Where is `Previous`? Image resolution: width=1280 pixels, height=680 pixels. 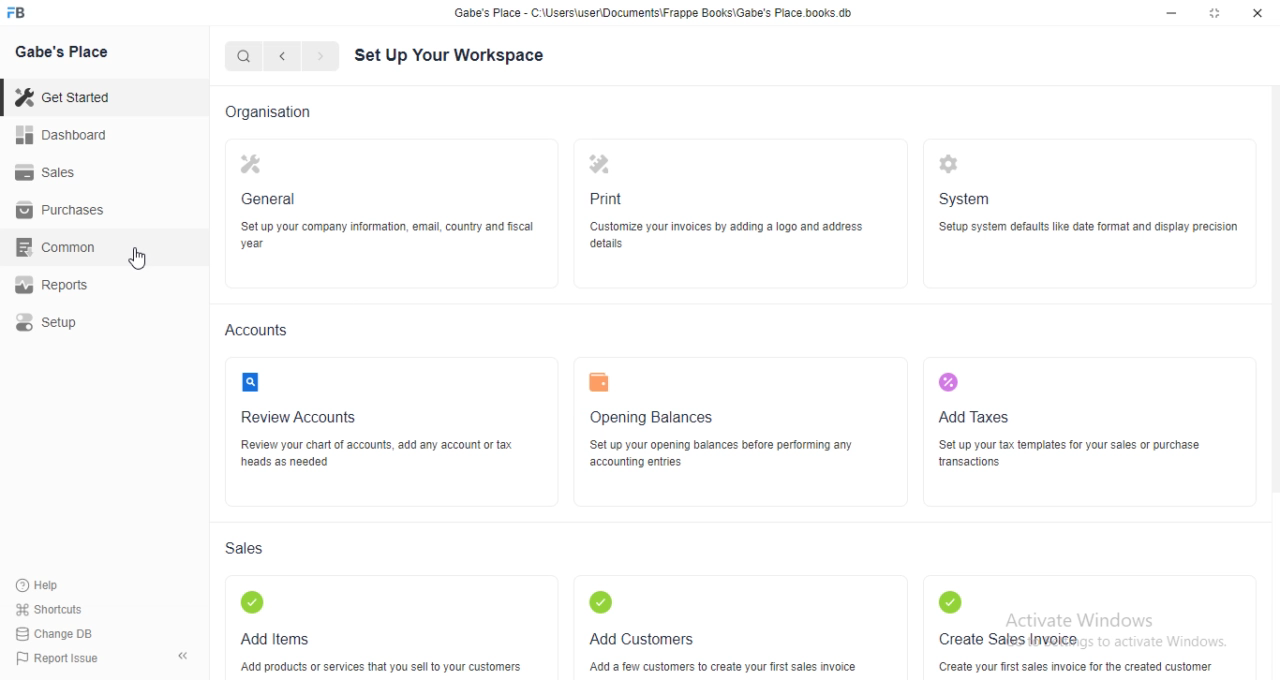
Previous is located at coordinates (283, 56).